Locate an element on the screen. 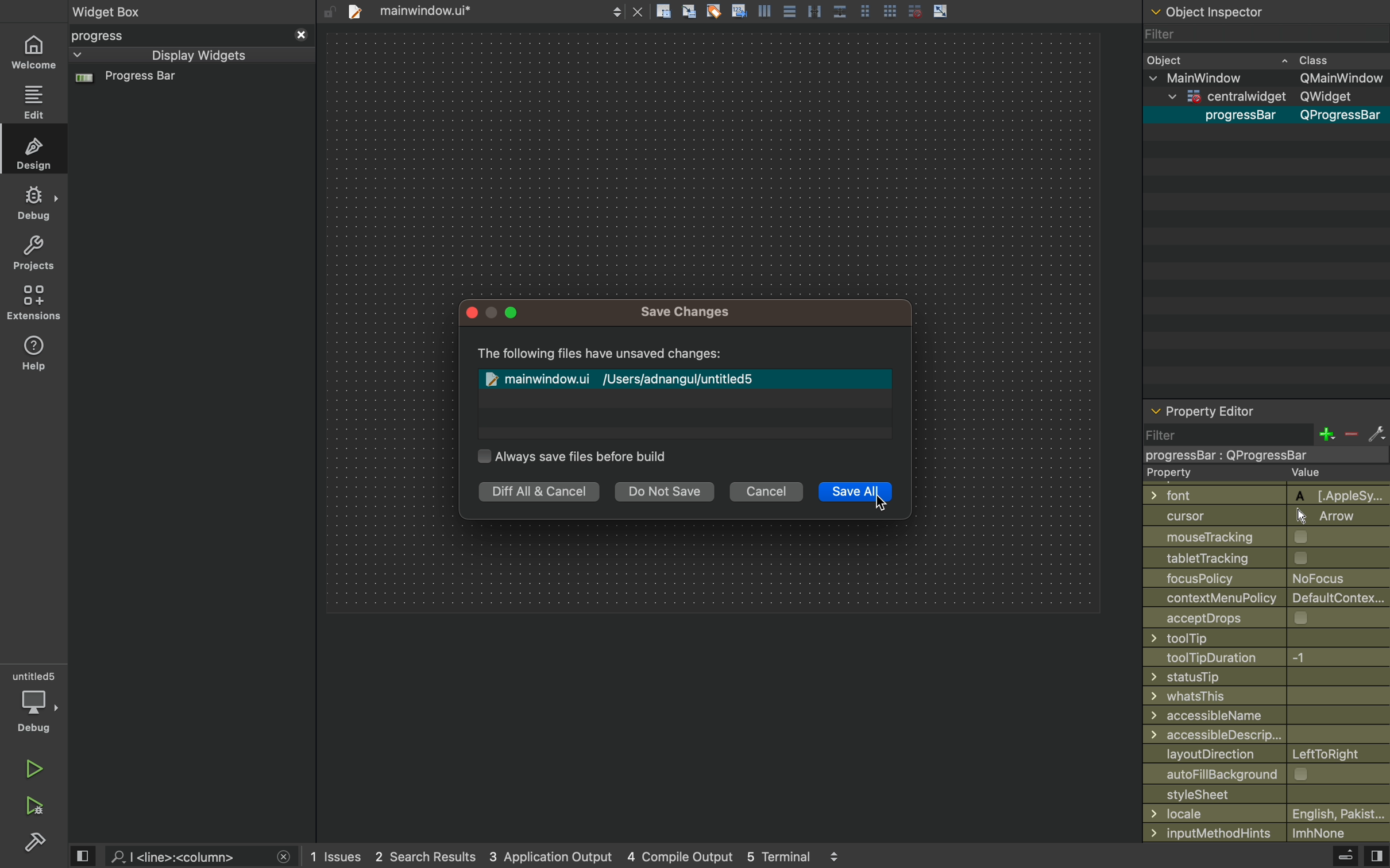  do not save is located at coordinates (669, 494).